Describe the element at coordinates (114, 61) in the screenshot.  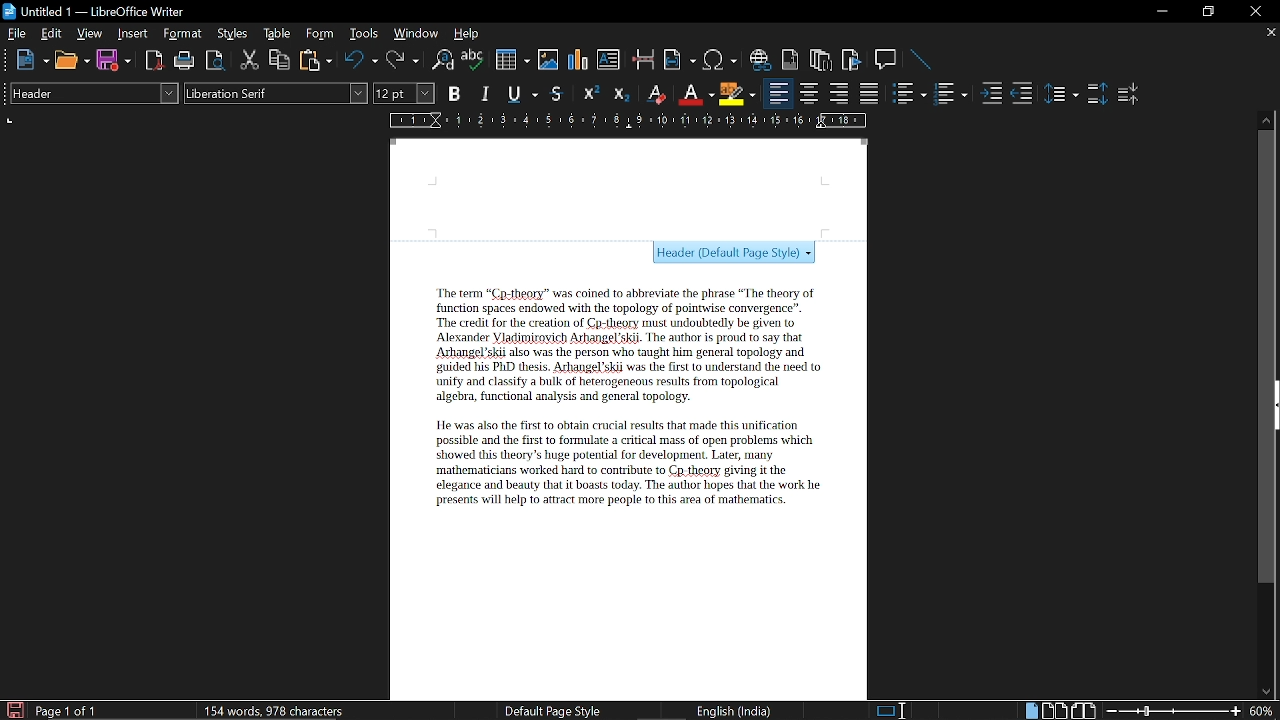
I see `Save` at that location.